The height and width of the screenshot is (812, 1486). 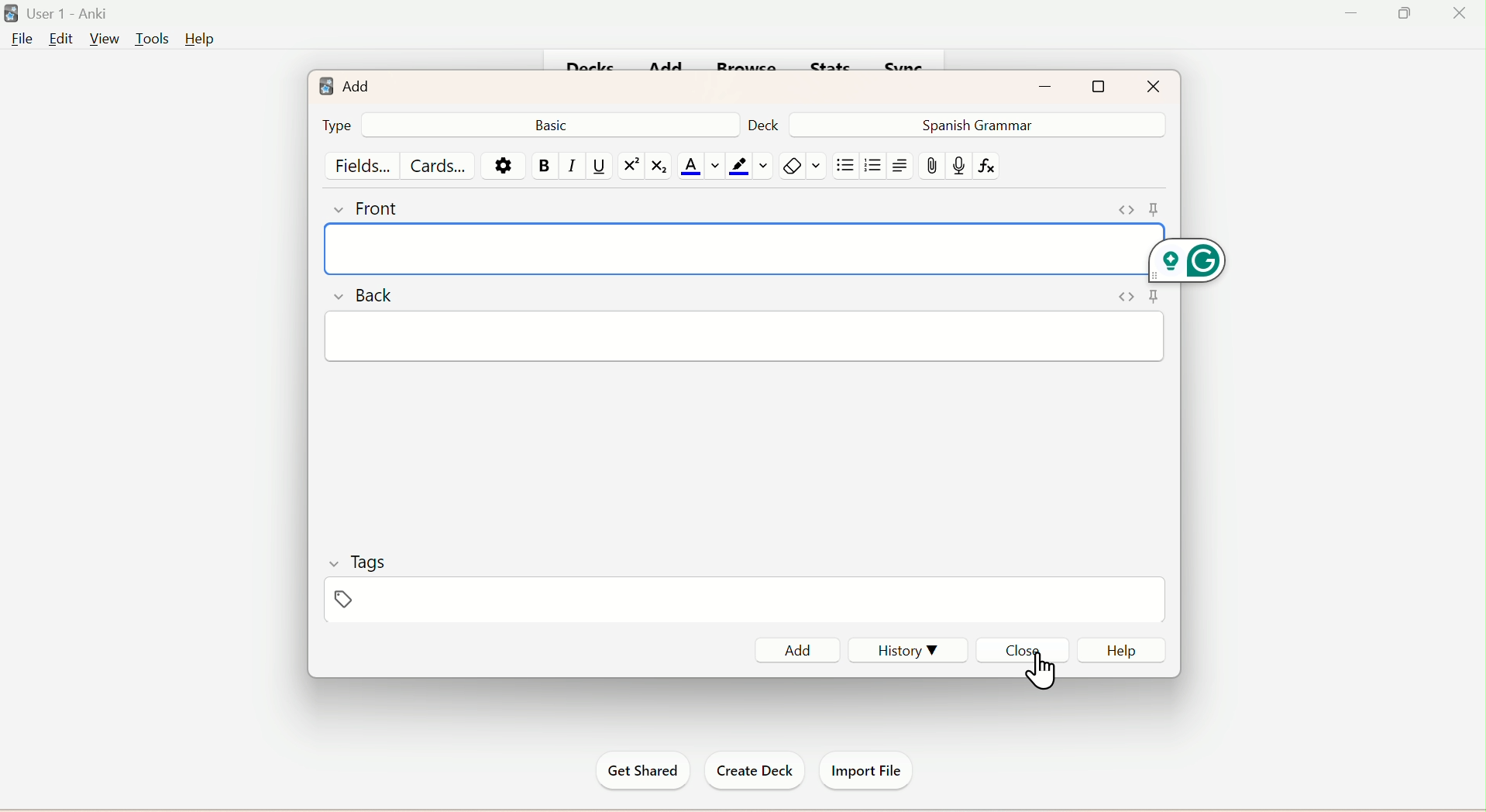 What do you see at coordinates (934, 167) in the screenshot?
I see `Attach` at bounding box center [934, 167].